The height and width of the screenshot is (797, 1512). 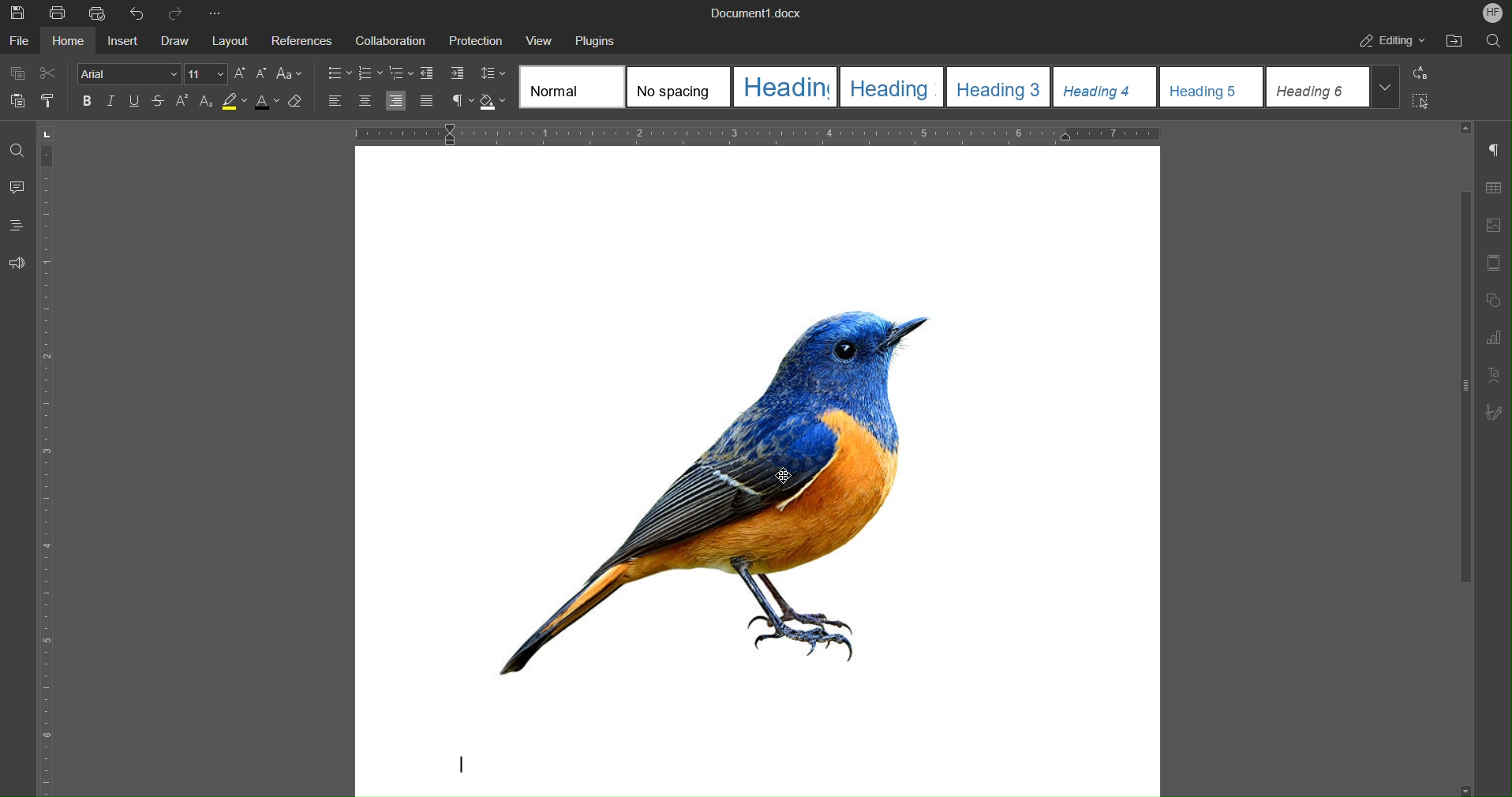 What do you see at coordinates (205, 103) in the screenshot?
I see `Subscript` at bounding box center [205, 103].